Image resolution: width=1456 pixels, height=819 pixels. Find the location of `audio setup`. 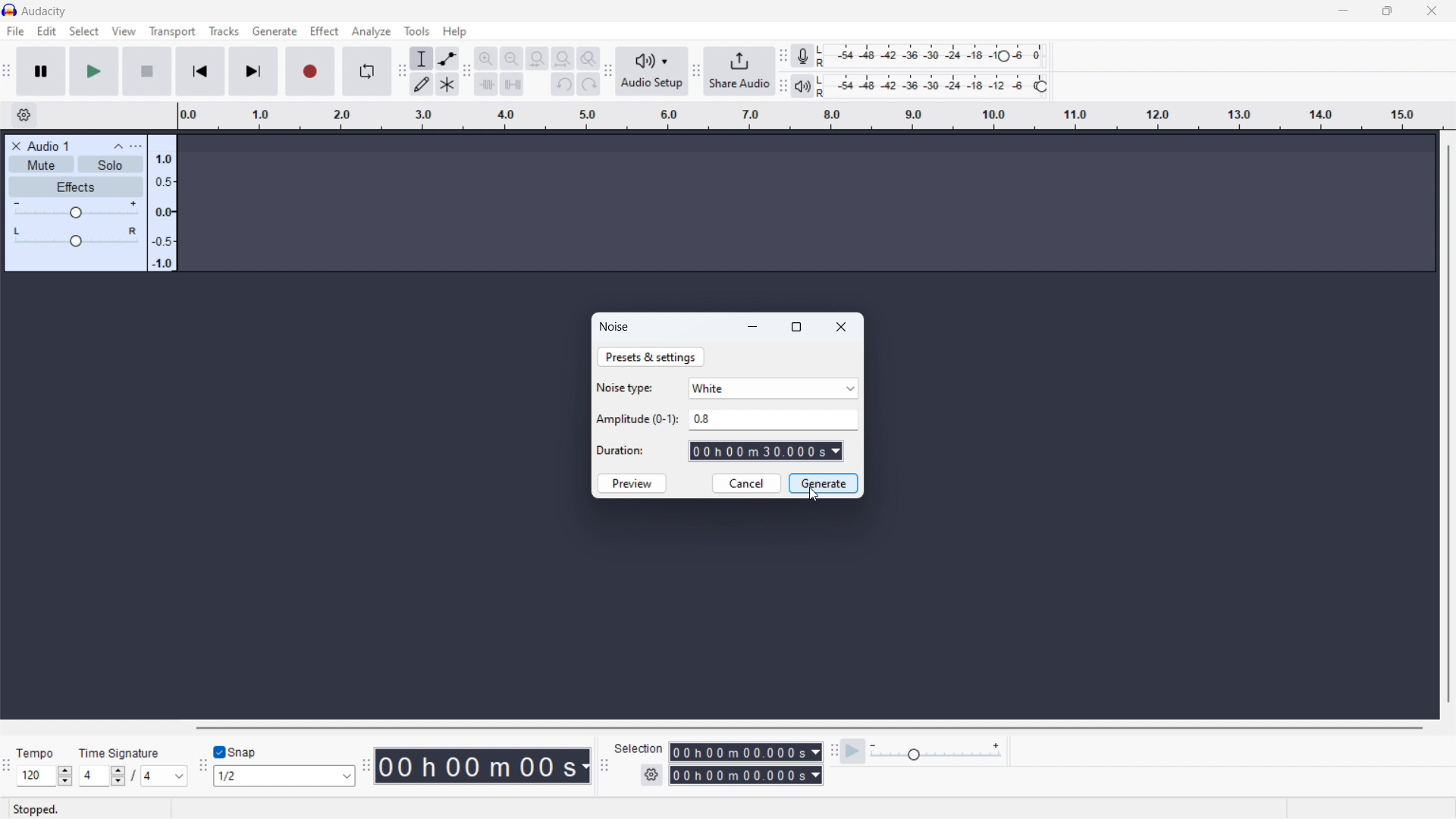

audio setup is located at coordinates (651, 71).